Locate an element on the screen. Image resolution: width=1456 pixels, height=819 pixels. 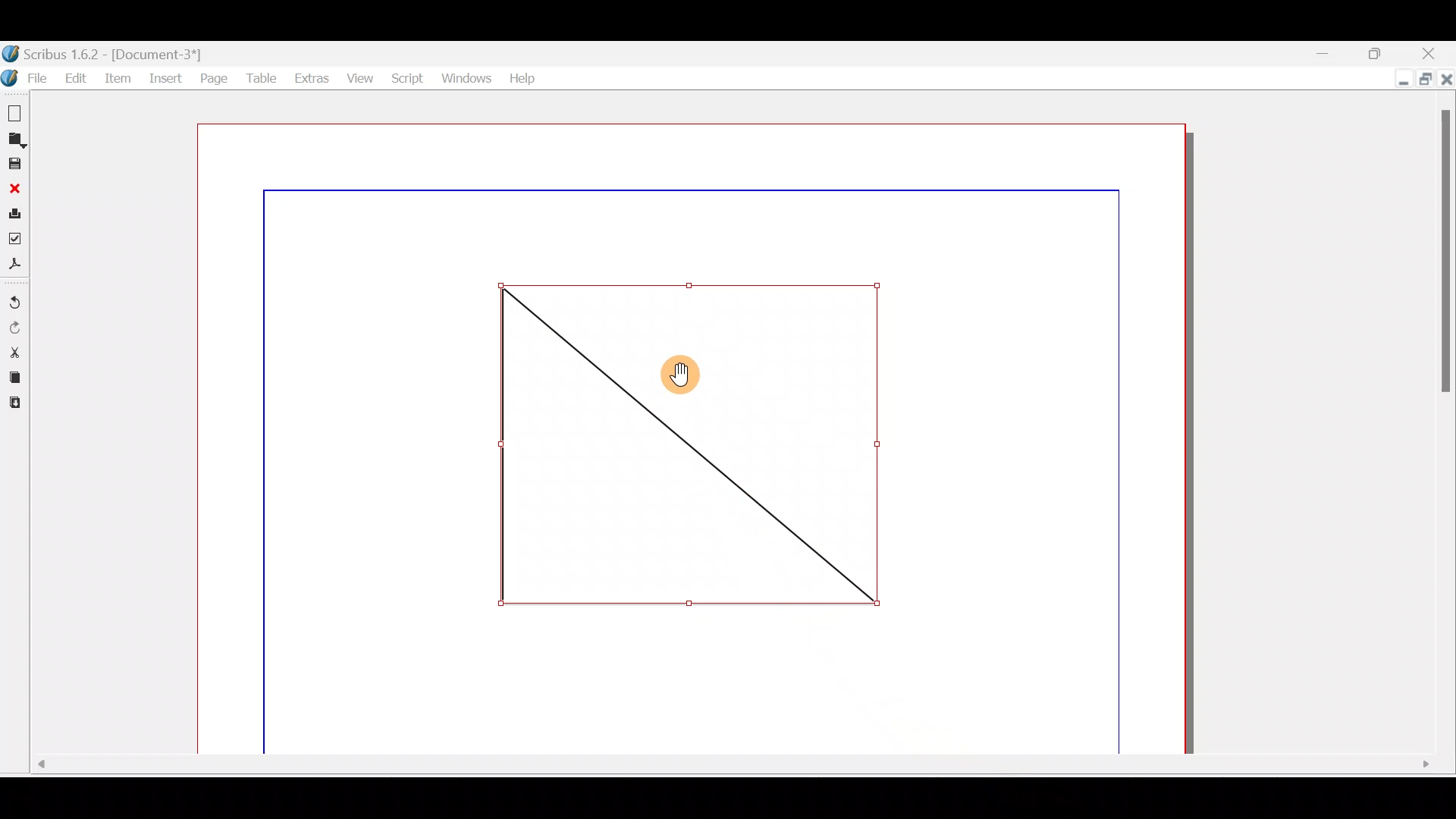
Print is located at coordinates (14, 212).